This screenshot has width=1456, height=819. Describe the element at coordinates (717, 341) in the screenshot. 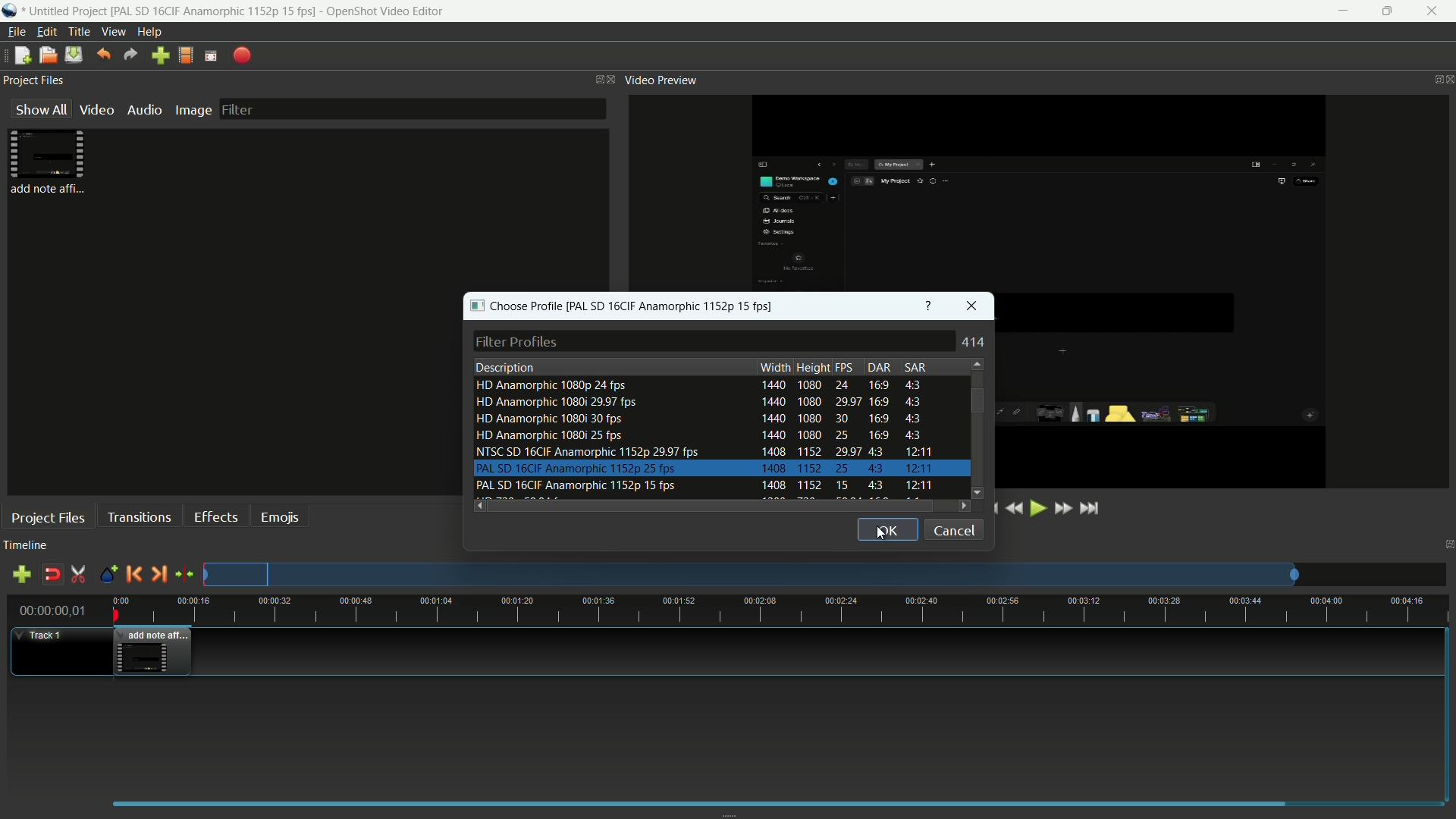

I see `filter profiles` at that location.